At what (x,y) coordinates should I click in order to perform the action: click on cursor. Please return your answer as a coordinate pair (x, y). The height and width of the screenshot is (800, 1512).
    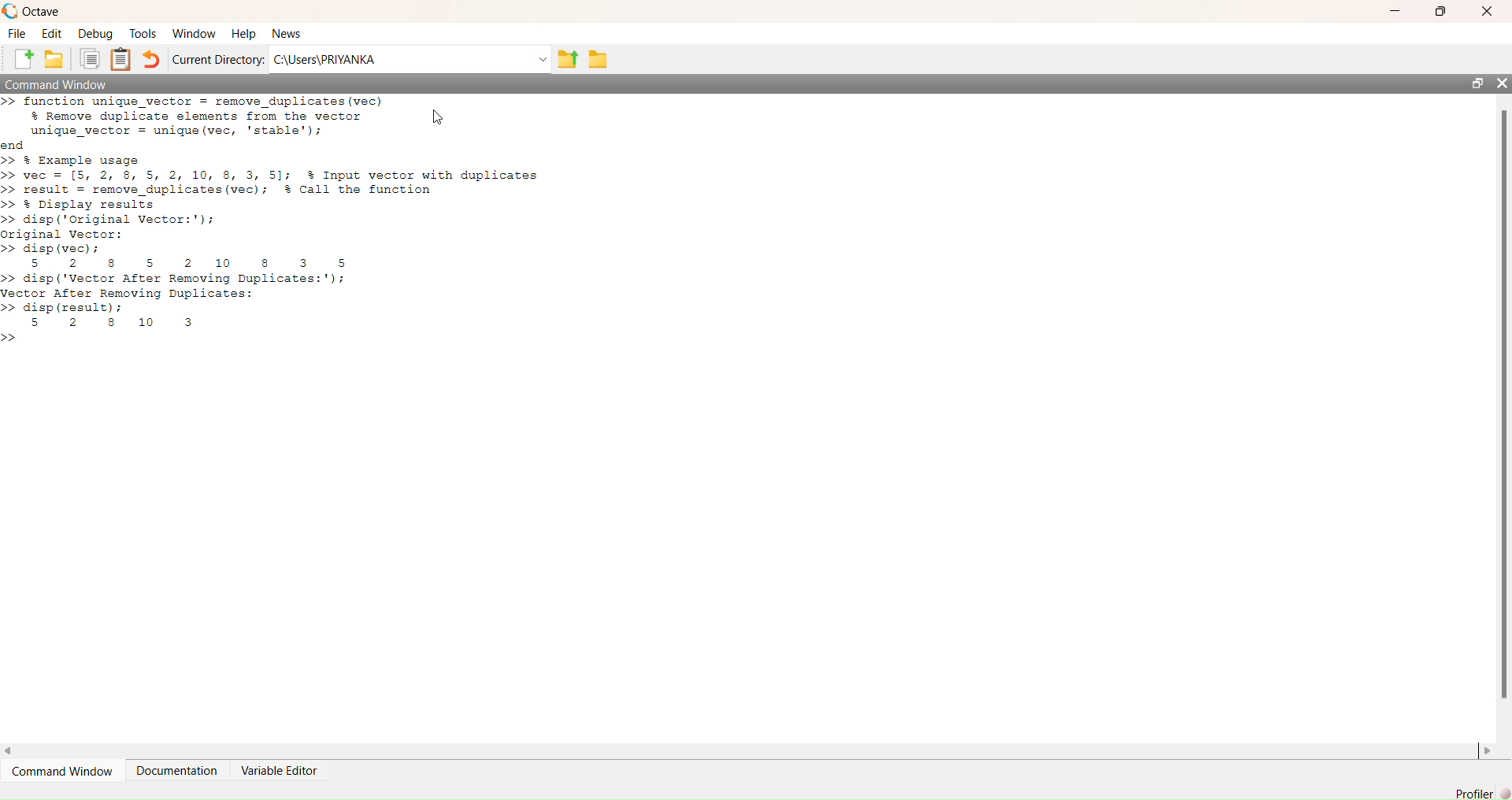
    Looking at the image, I should click on (438, 116).